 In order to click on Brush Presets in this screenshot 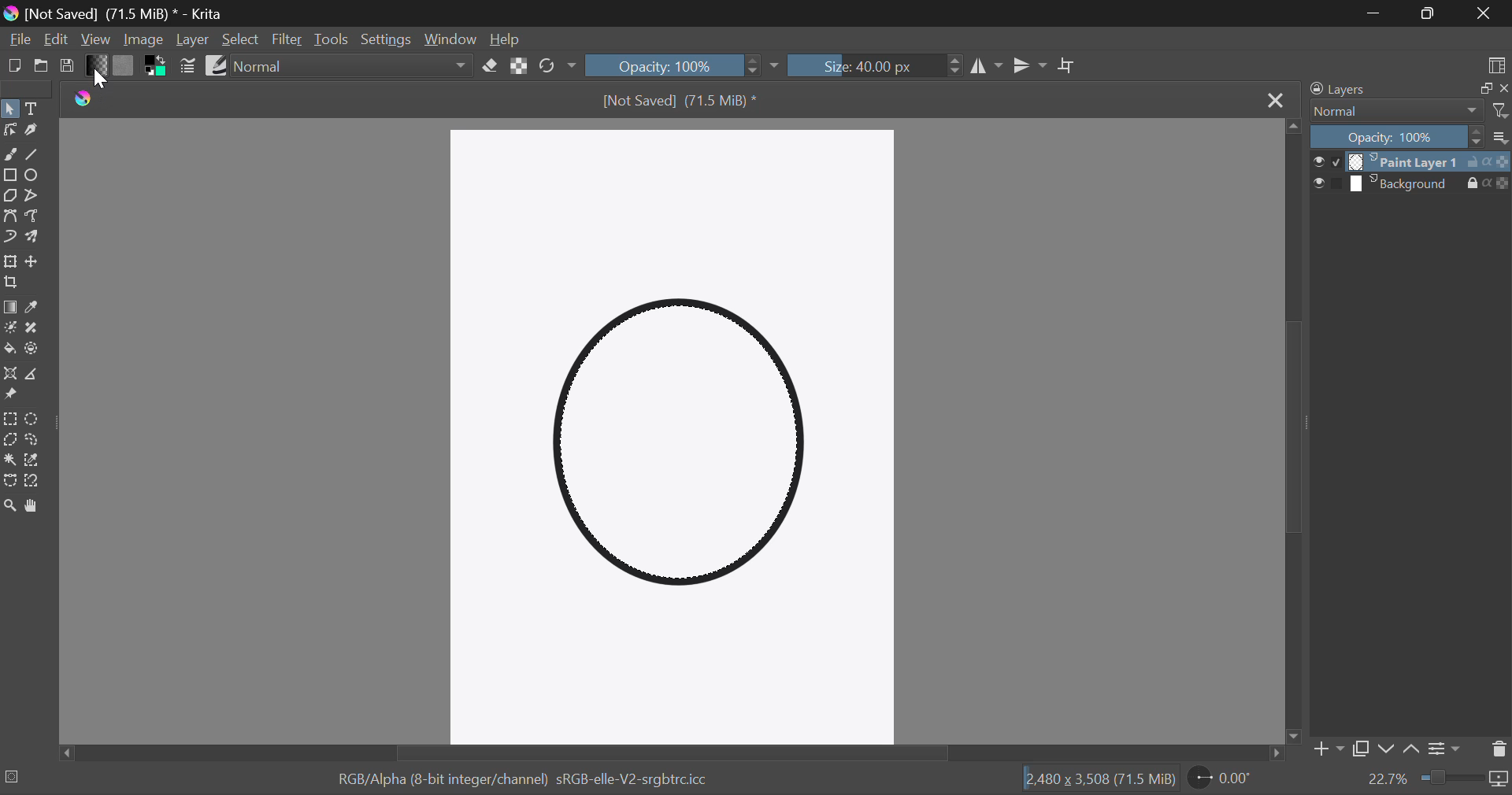, I will do `click(219, 67)`.